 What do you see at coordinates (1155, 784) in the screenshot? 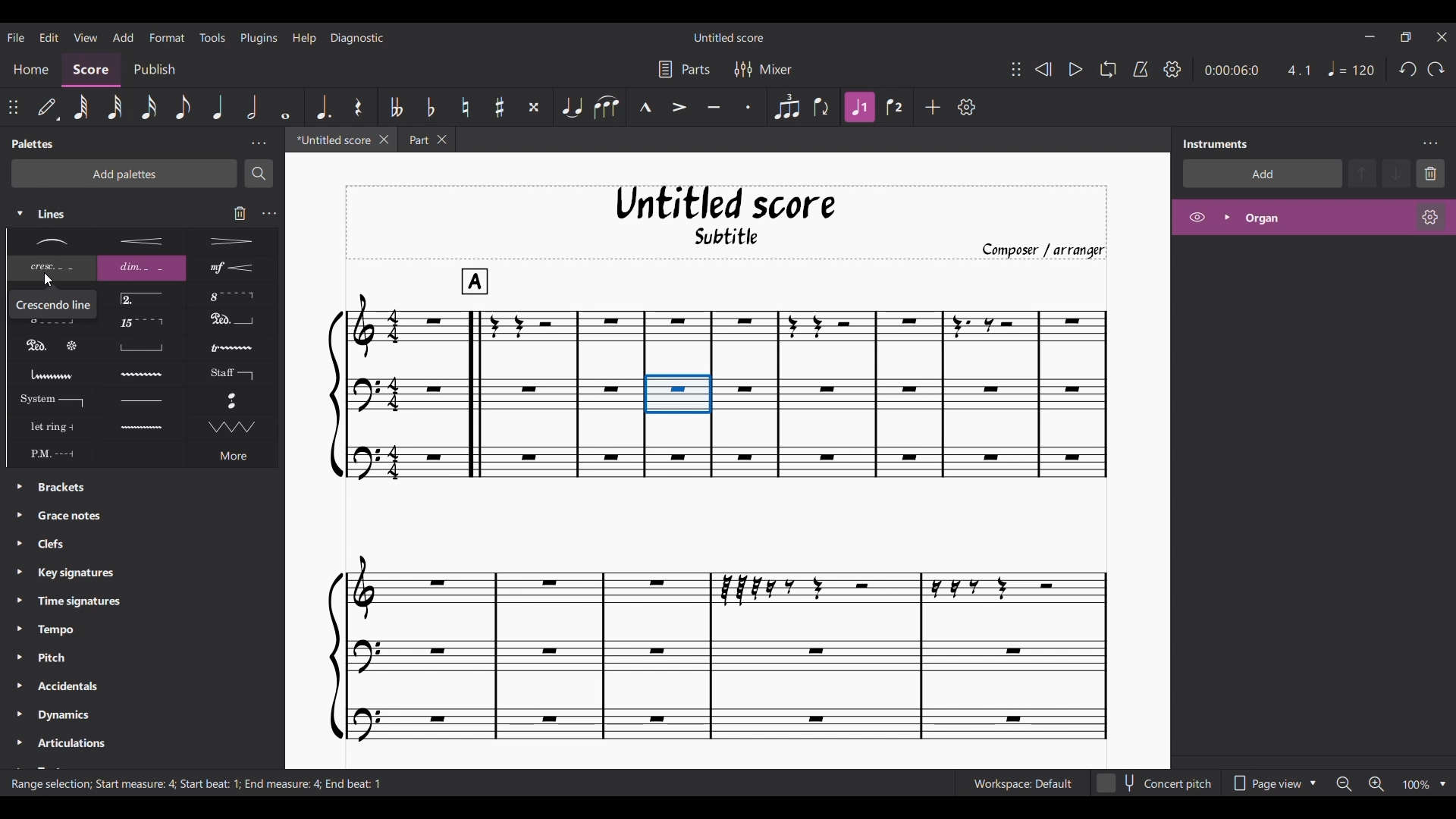
I see `Toggle for Concert pitch` at bounding box center [1155, 784].